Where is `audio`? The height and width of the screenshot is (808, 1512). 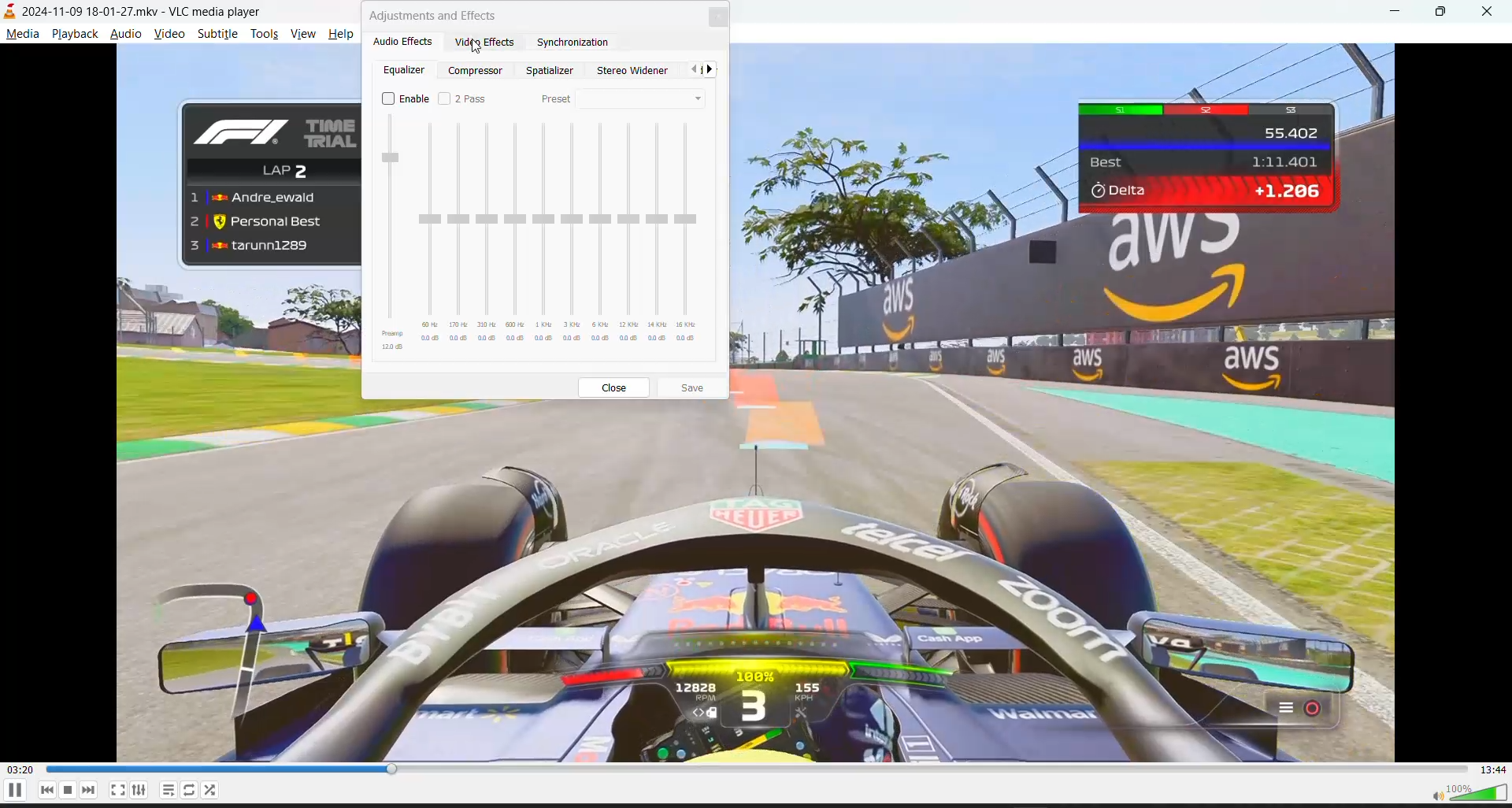 audio is located at coordinates (123, 32).